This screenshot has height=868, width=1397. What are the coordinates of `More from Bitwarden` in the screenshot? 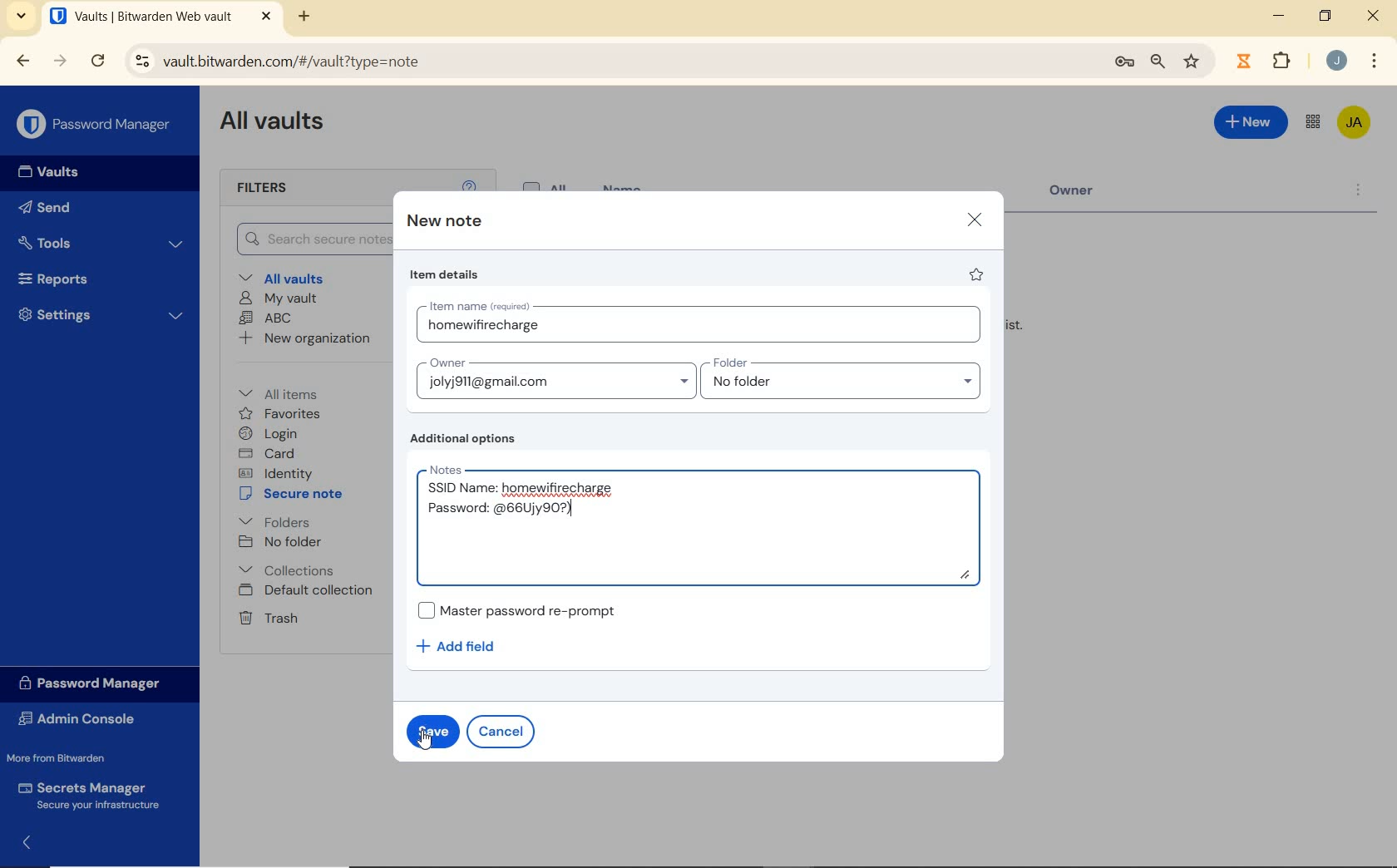 It's located at (67, 757).